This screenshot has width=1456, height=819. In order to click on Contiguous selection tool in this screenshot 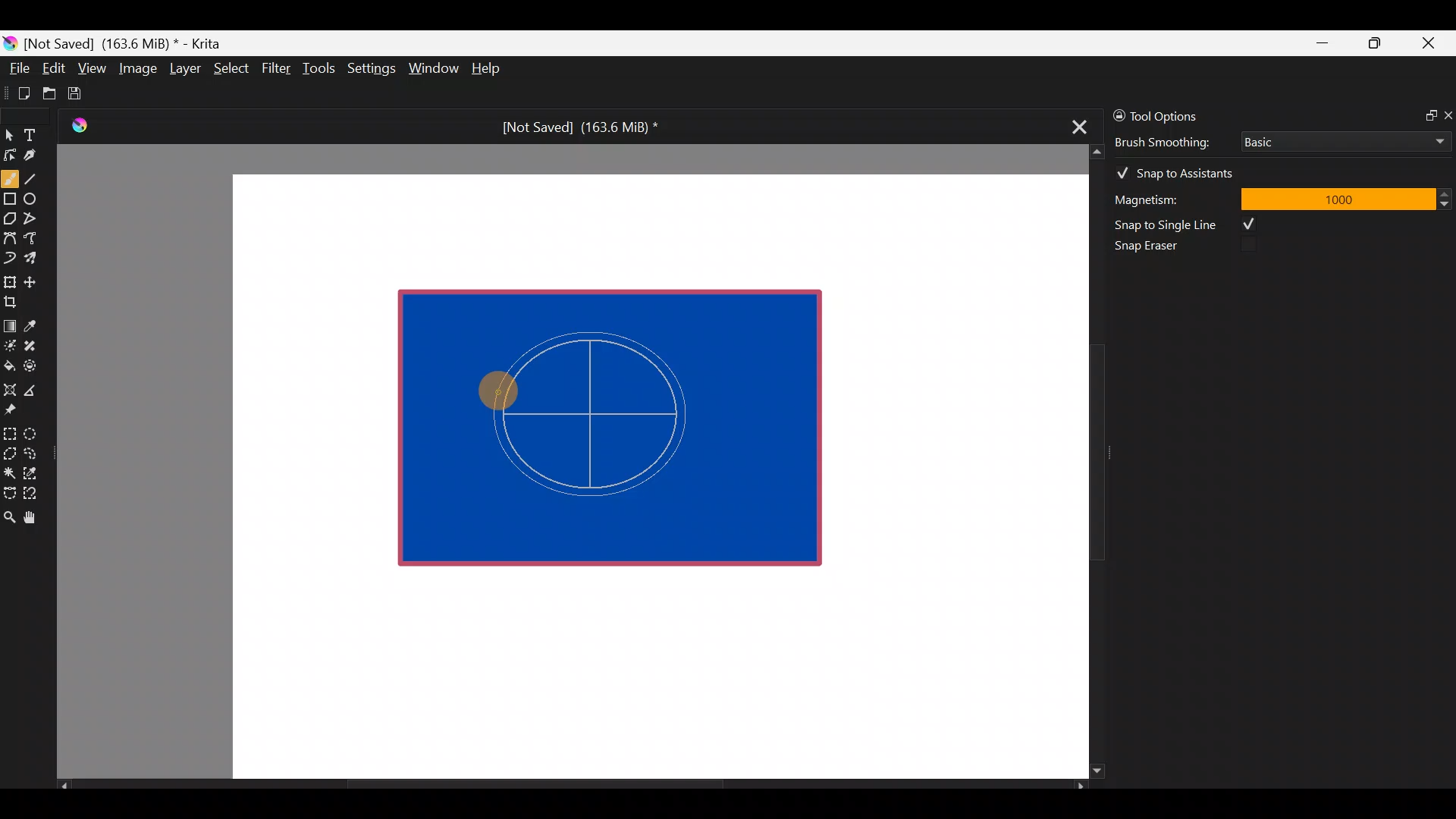, I will do `click(9, 469)`.